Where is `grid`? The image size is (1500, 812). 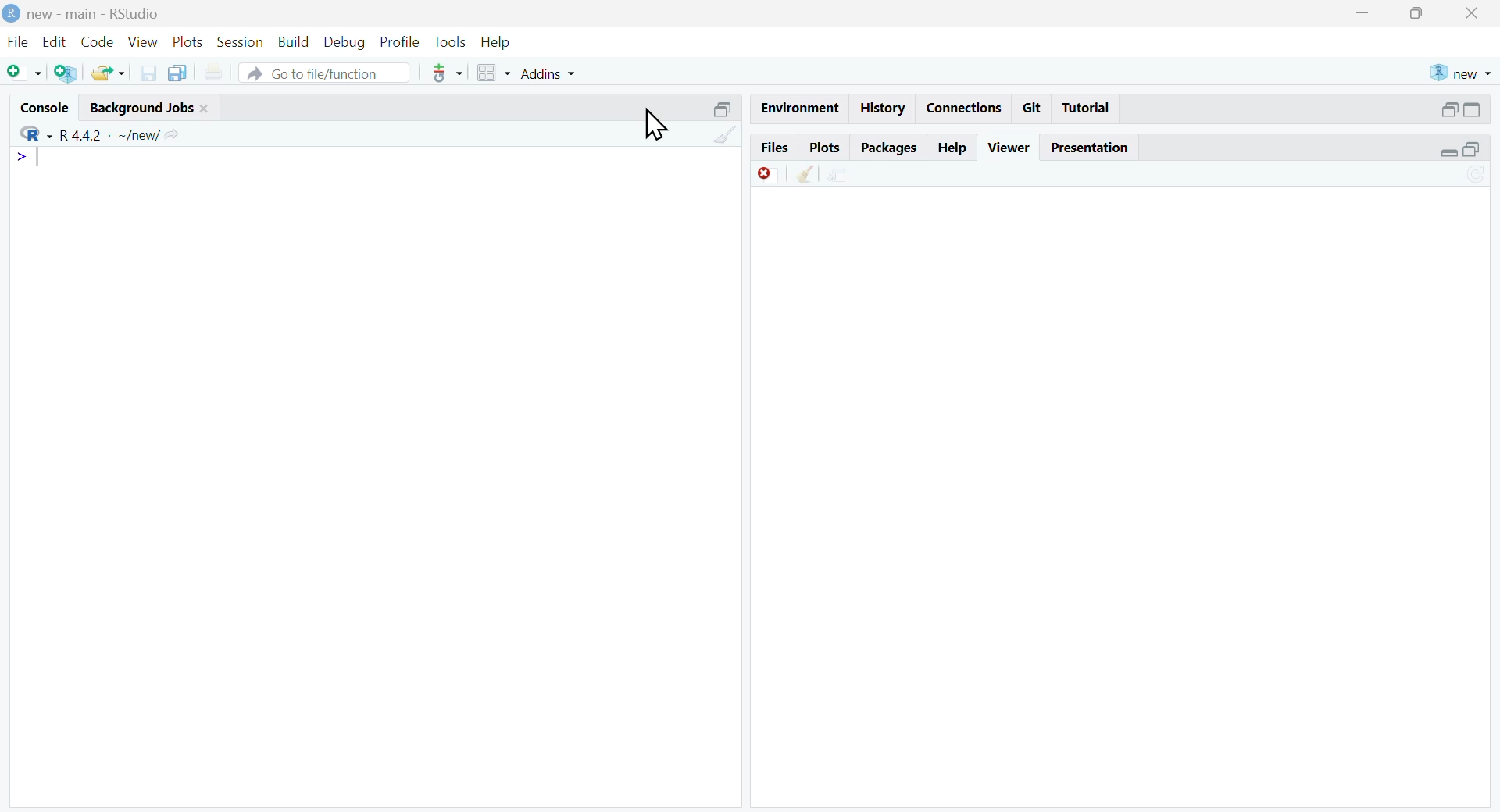 grid is located at coordinates (496, 73).